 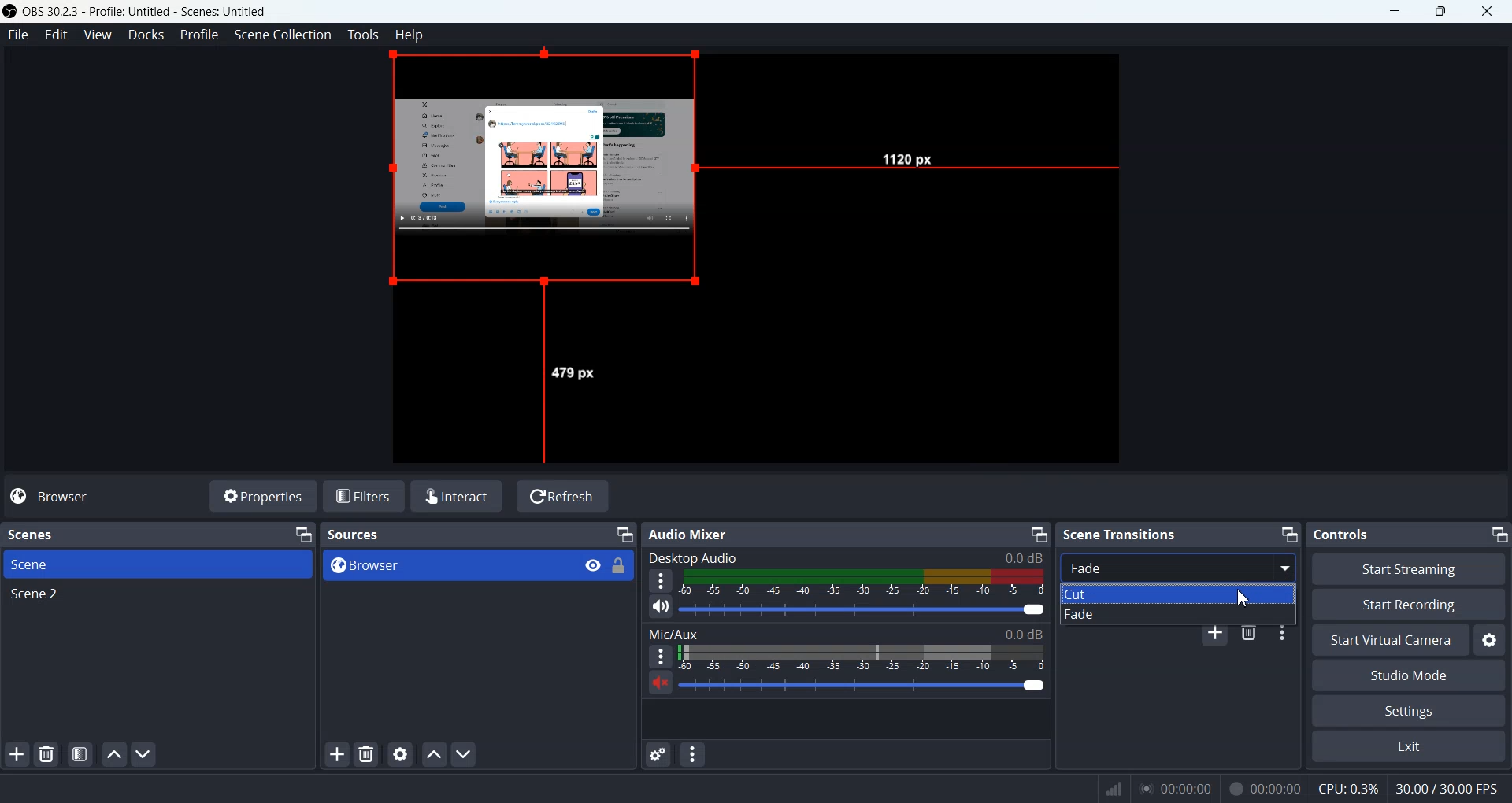 I want to click on Text, so click(x=846, y=633).